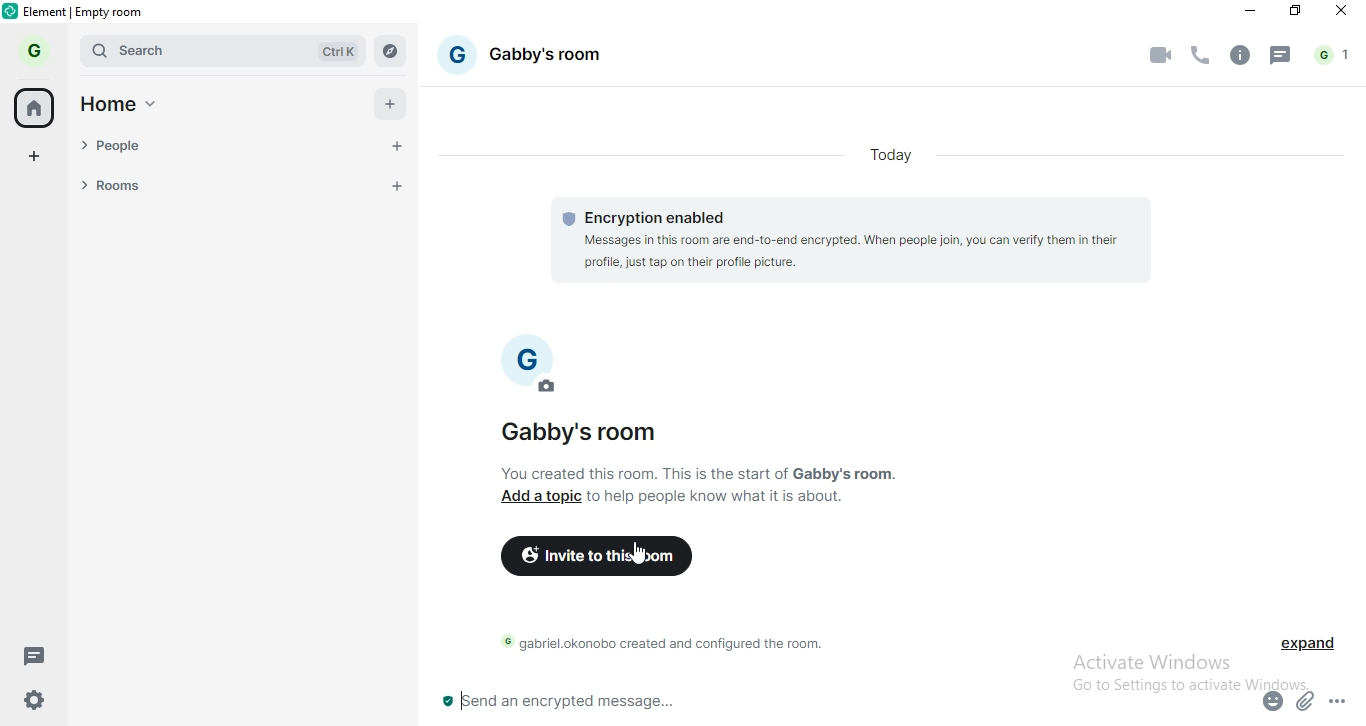 This screenshot has height=726, width=1366. What do you see at coordinates (1269, 704) in the screenshot?
I see `emoji` at bounding box center [1269, 704].